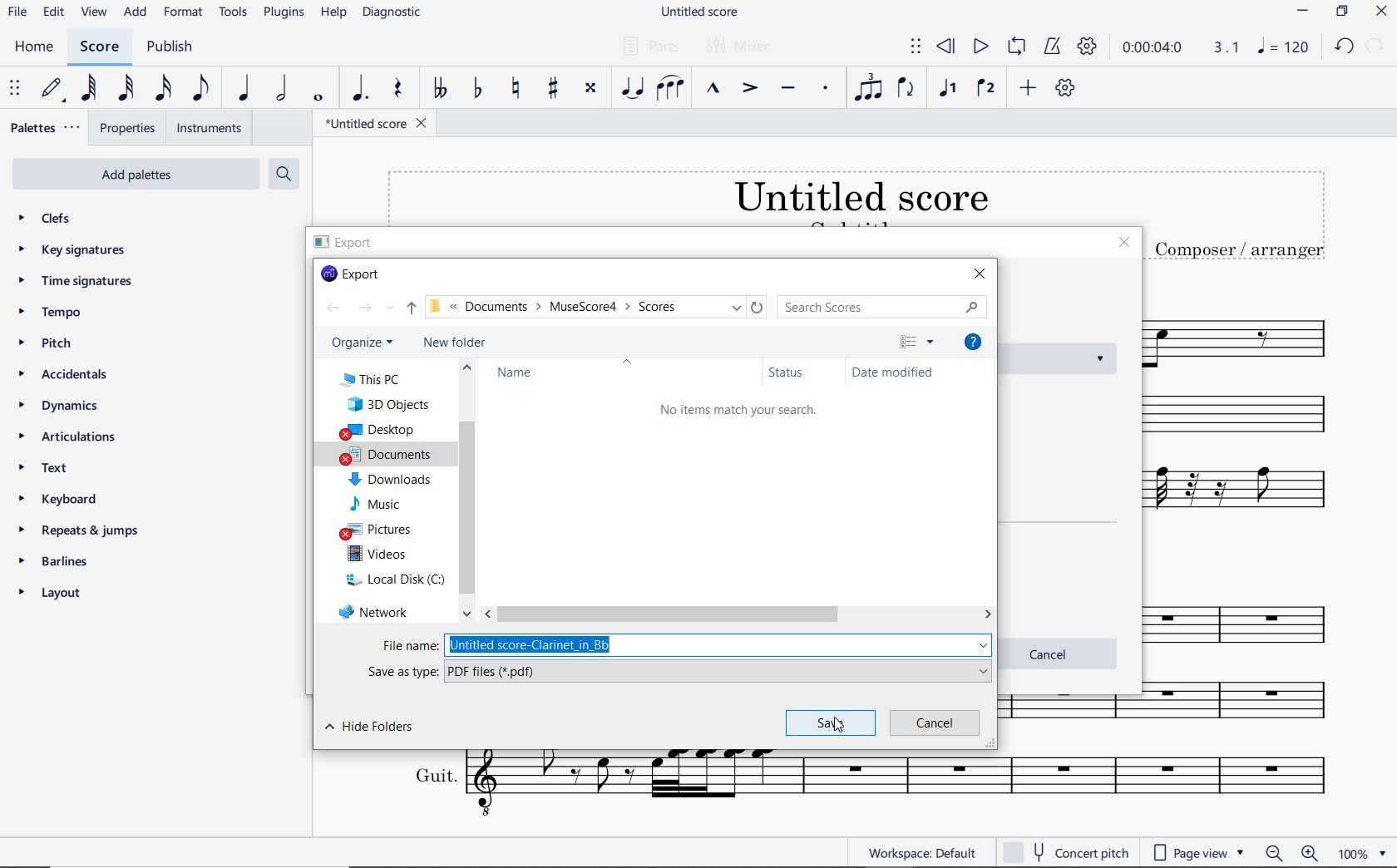 The width and height of the screenshot is (1397, 868). I want to click on pitch, so click(47, 345).